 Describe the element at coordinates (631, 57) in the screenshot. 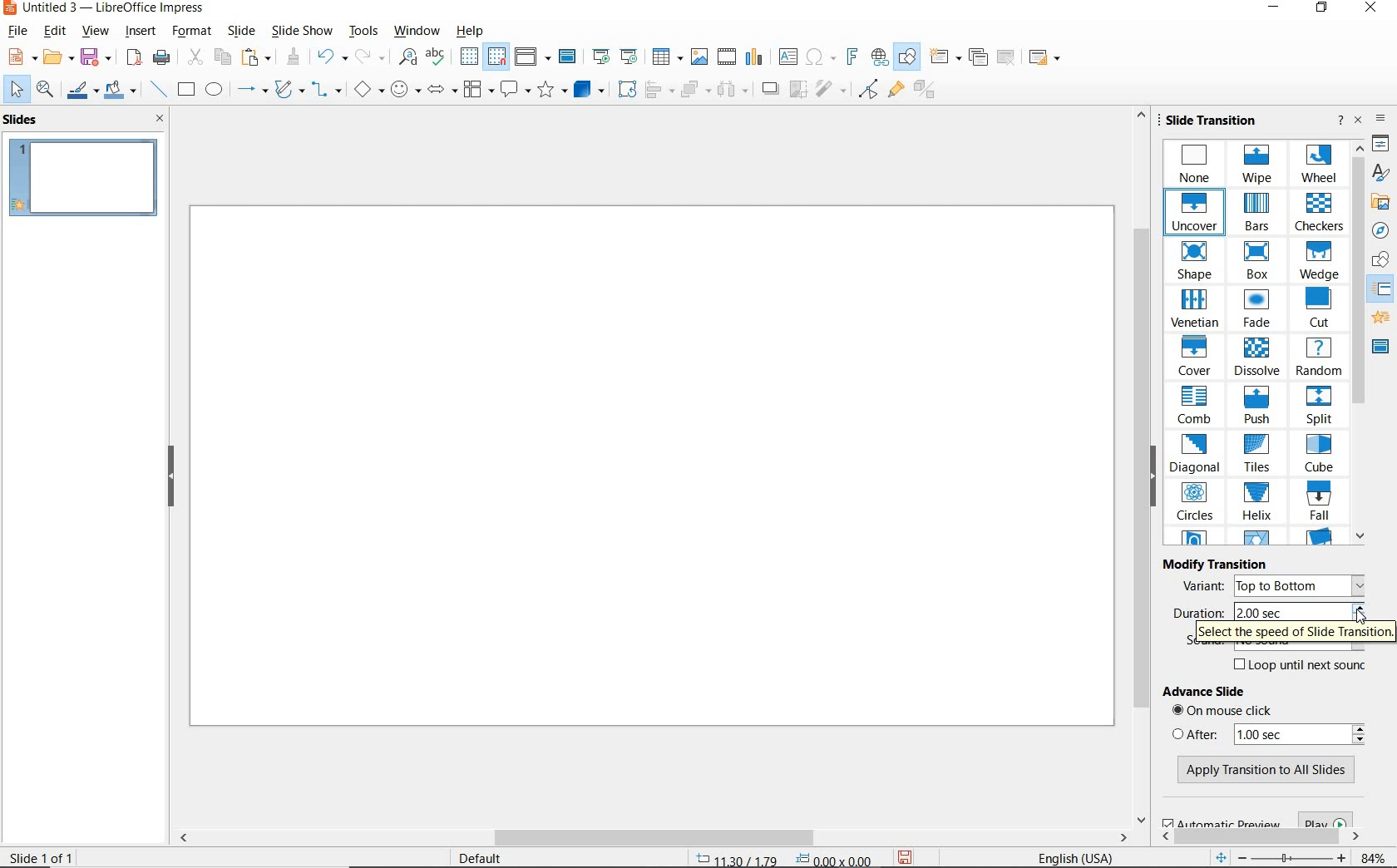

I see `START FROM CURRENT SLIDE` at that location.